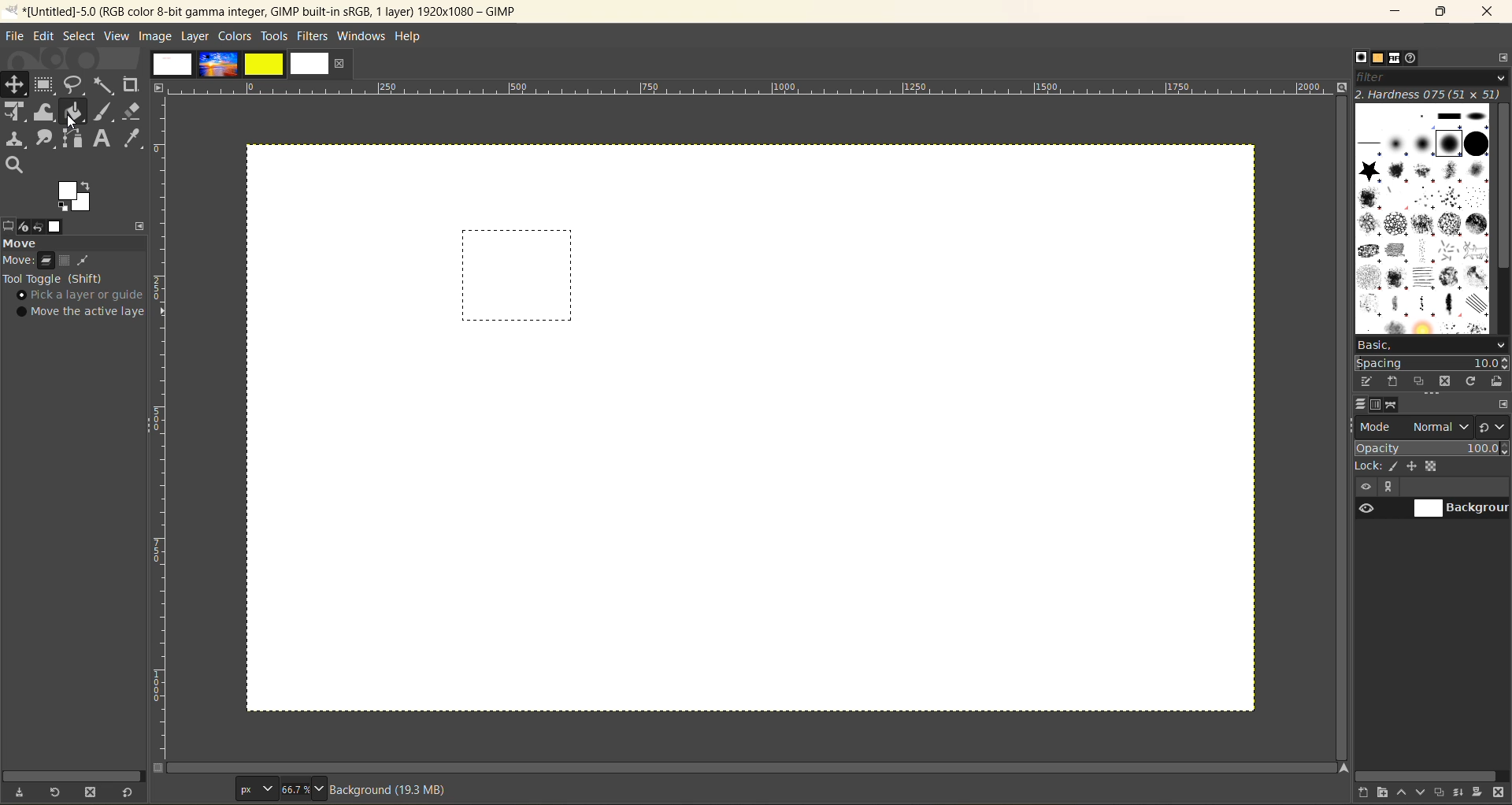 This screenshot has height=805, width=1512. I want to click on close, so click(1491, 11).